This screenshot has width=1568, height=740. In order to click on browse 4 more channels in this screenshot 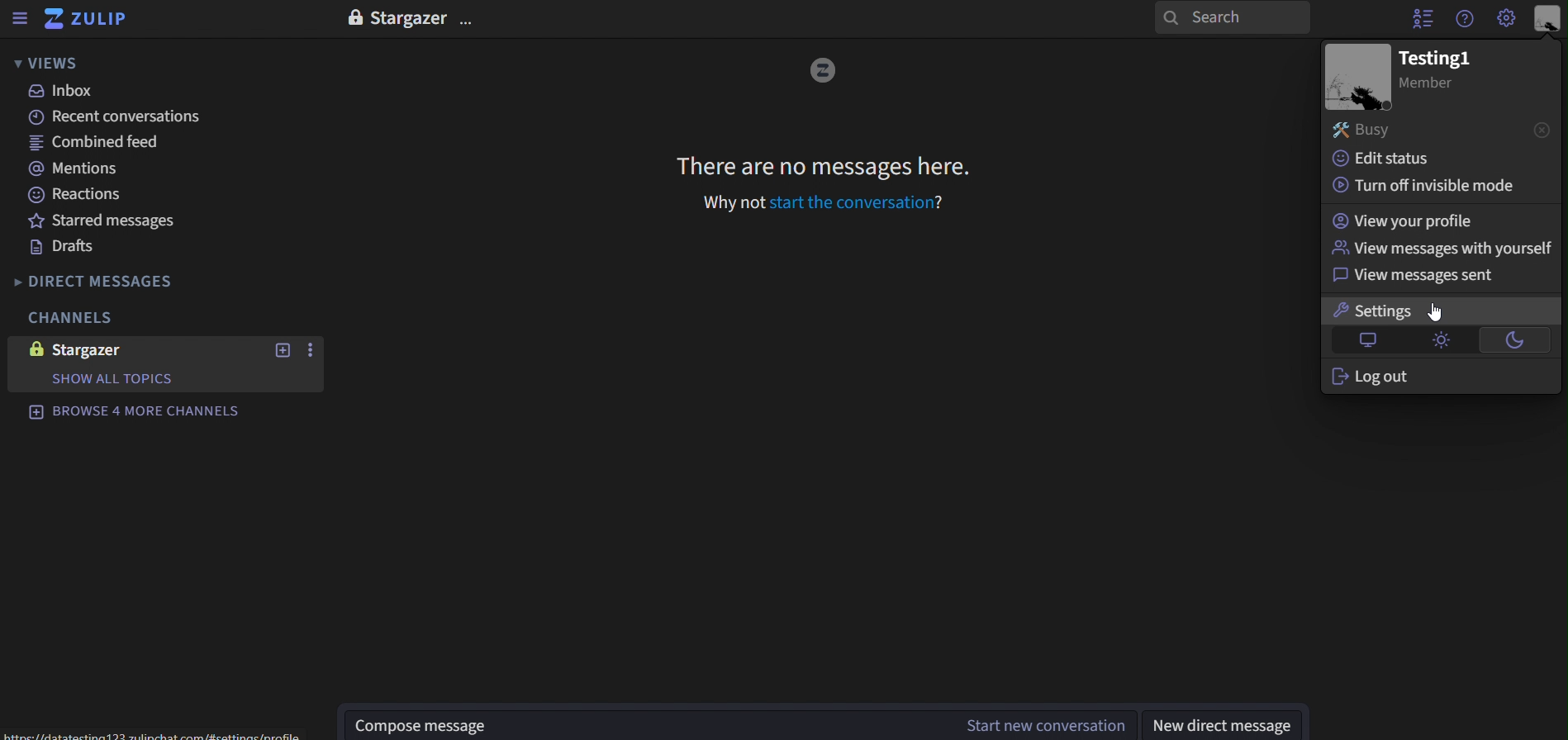, I will do `click(139, 415)`.